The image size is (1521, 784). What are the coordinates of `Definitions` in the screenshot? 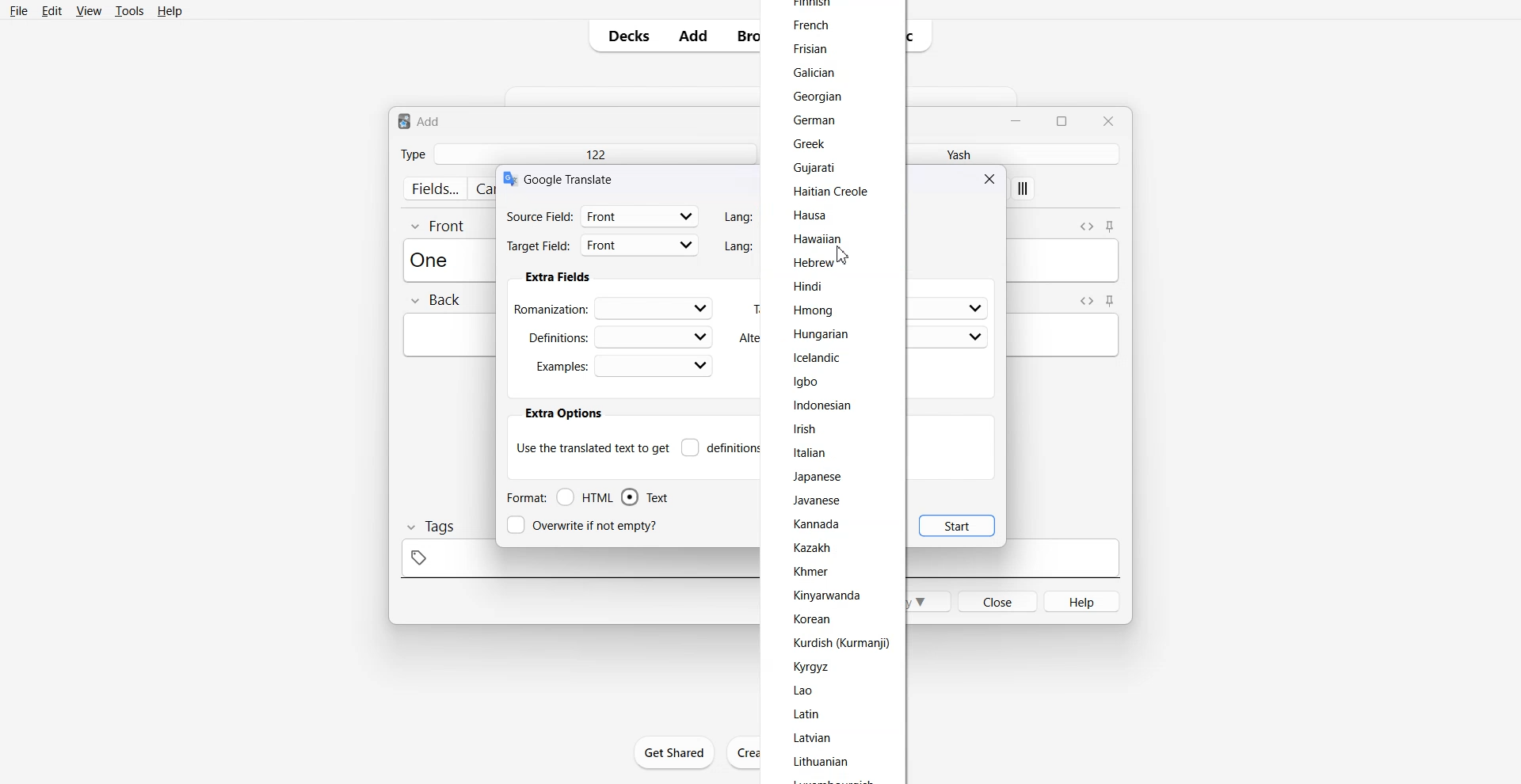 It's located at (721, 447).